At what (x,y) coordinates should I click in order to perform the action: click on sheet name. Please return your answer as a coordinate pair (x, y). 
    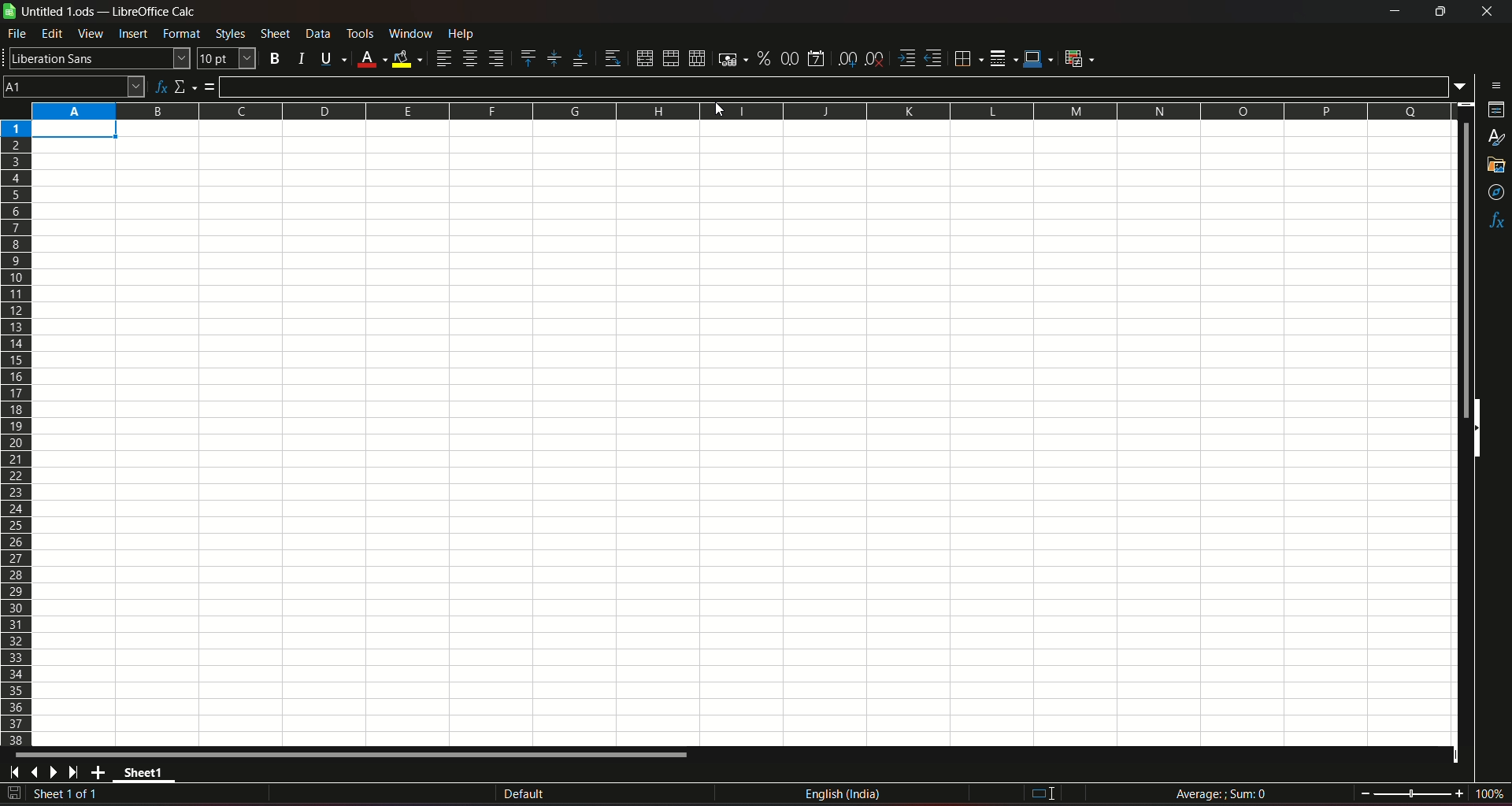
    Looking at the image, I should click on (146, 775).